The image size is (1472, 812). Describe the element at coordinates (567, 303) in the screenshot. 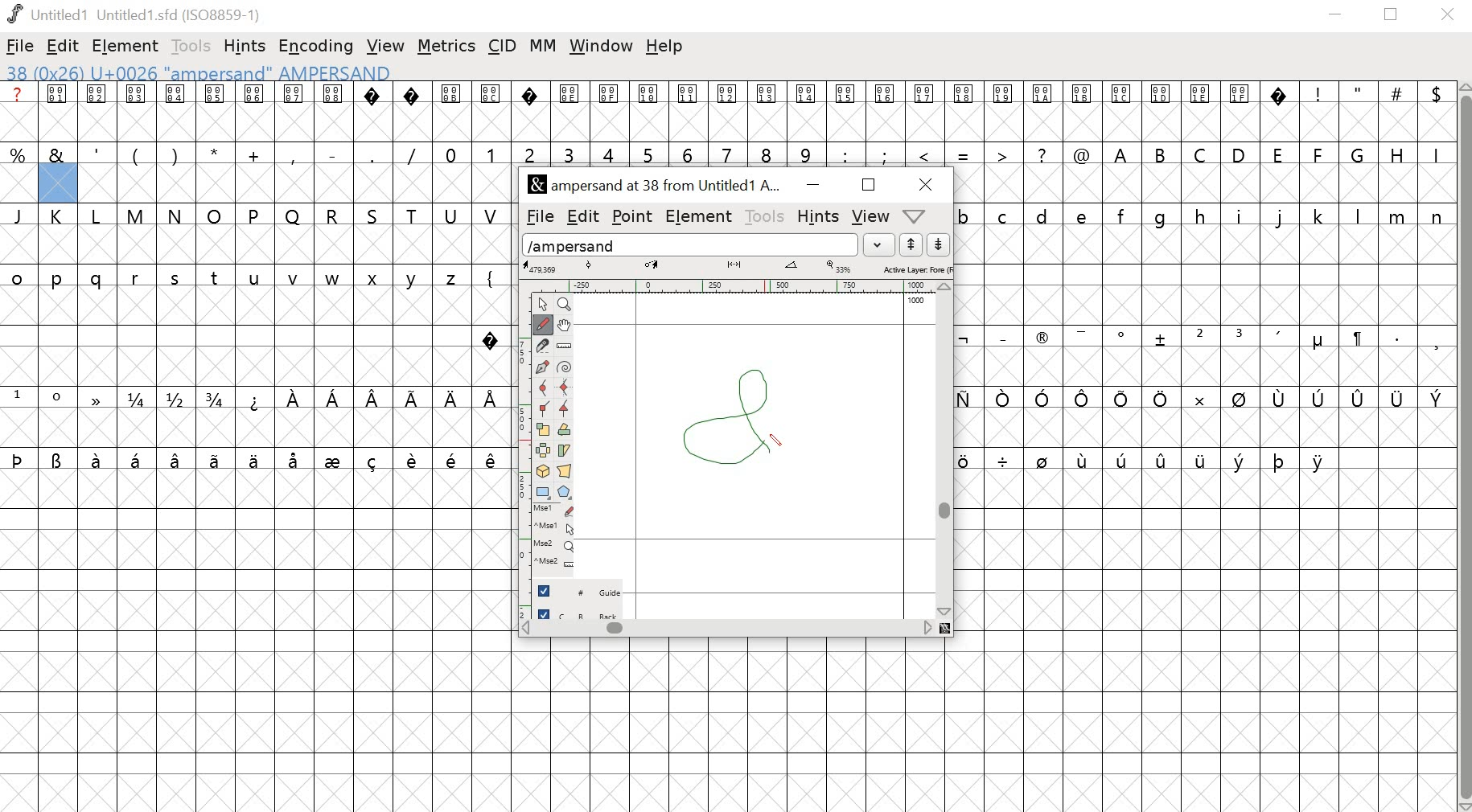

I see `magnify tool` at that location.